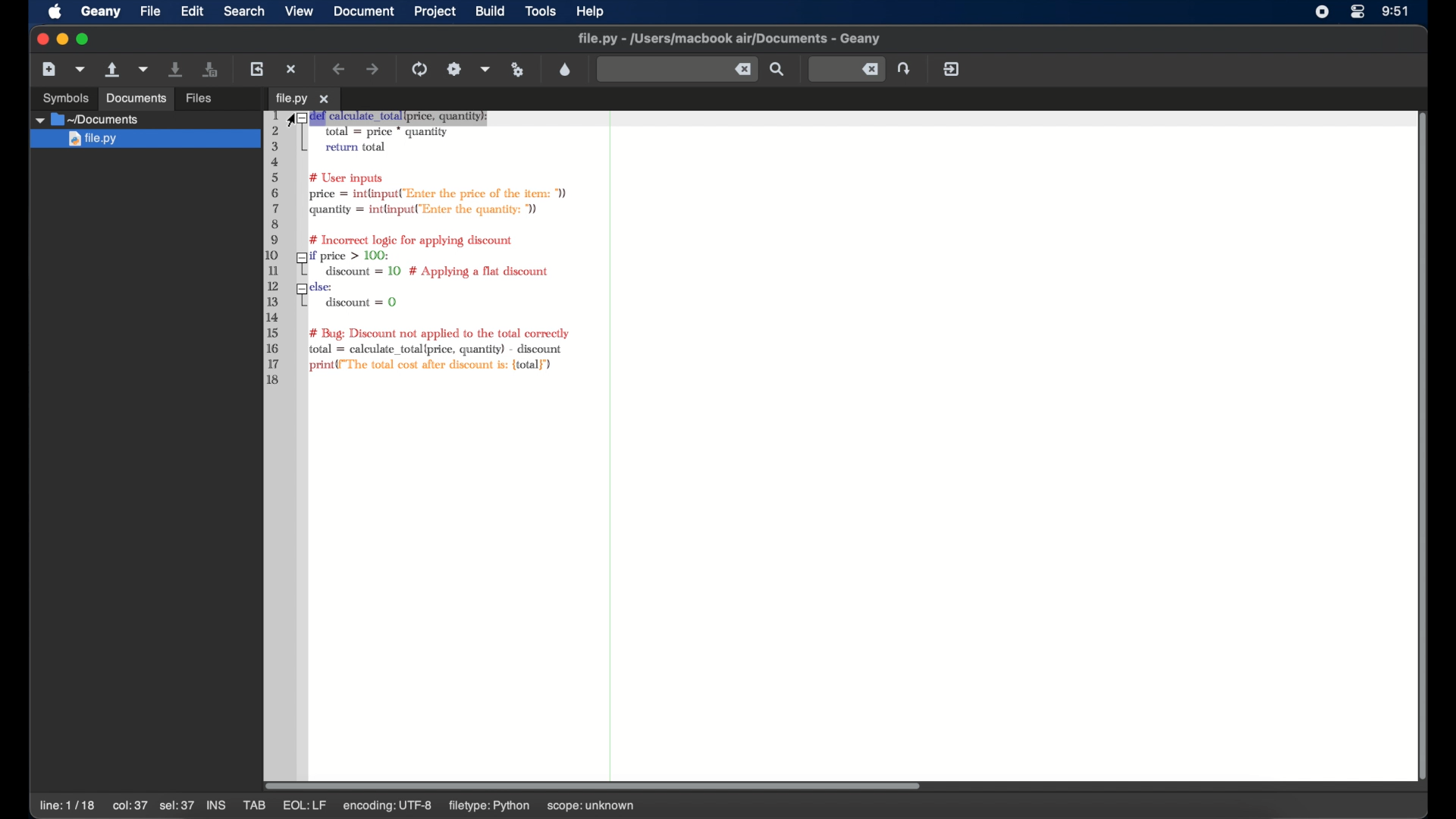 The height and width of the screenshot is (819, 1456). What do you see at coordinates (81, 69) in the screenshot?
I see `create a new file from template` at bounding box center [81, 69].